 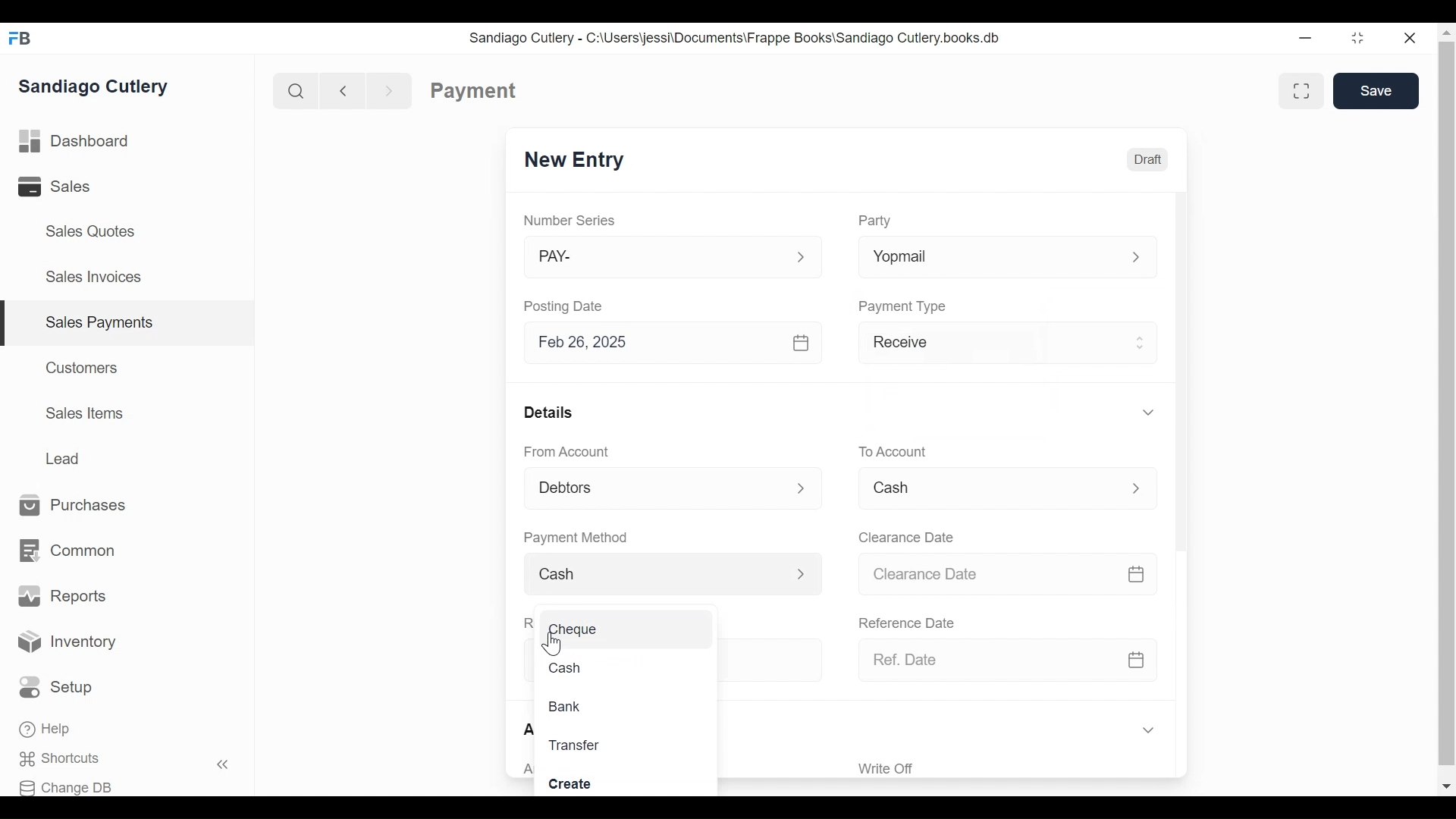 I want to click on Payment, so click(x=474, y=91).